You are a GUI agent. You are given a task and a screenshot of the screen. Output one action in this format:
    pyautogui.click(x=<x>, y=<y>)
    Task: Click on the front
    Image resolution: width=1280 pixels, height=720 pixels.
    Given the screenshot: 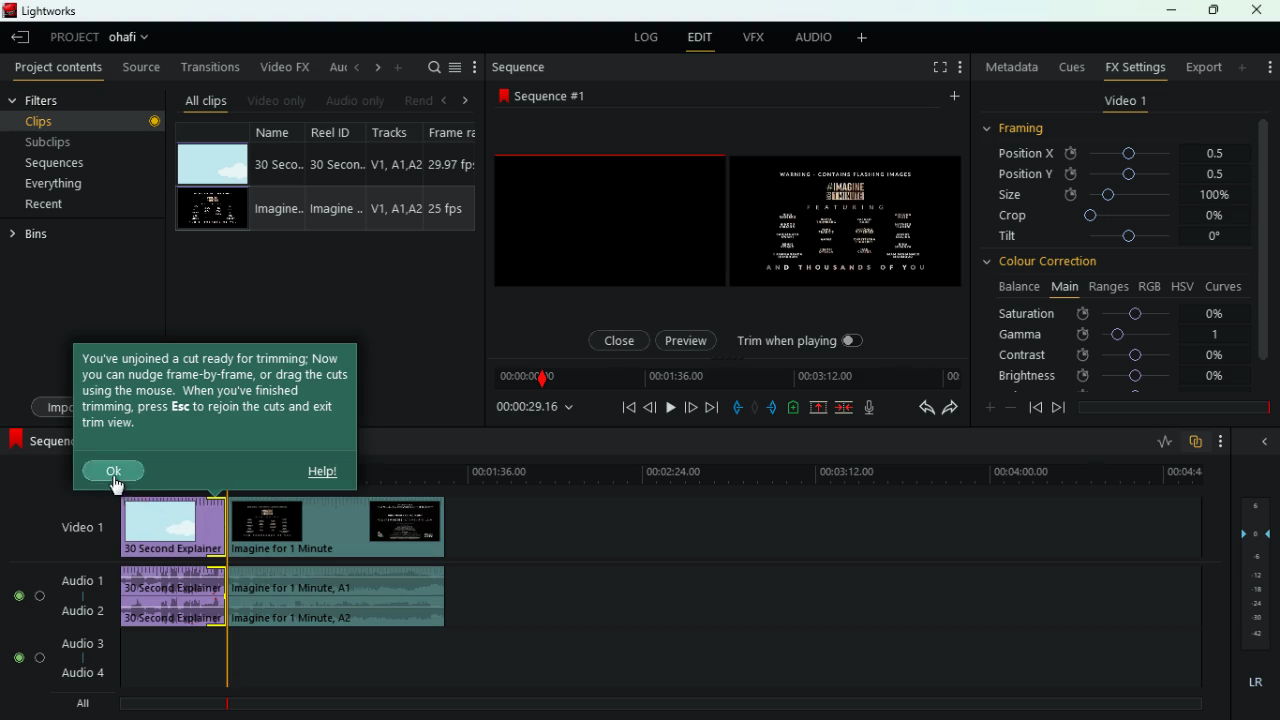 What is the action you would take?
    pyautogui.click(x=689, y=405)
    